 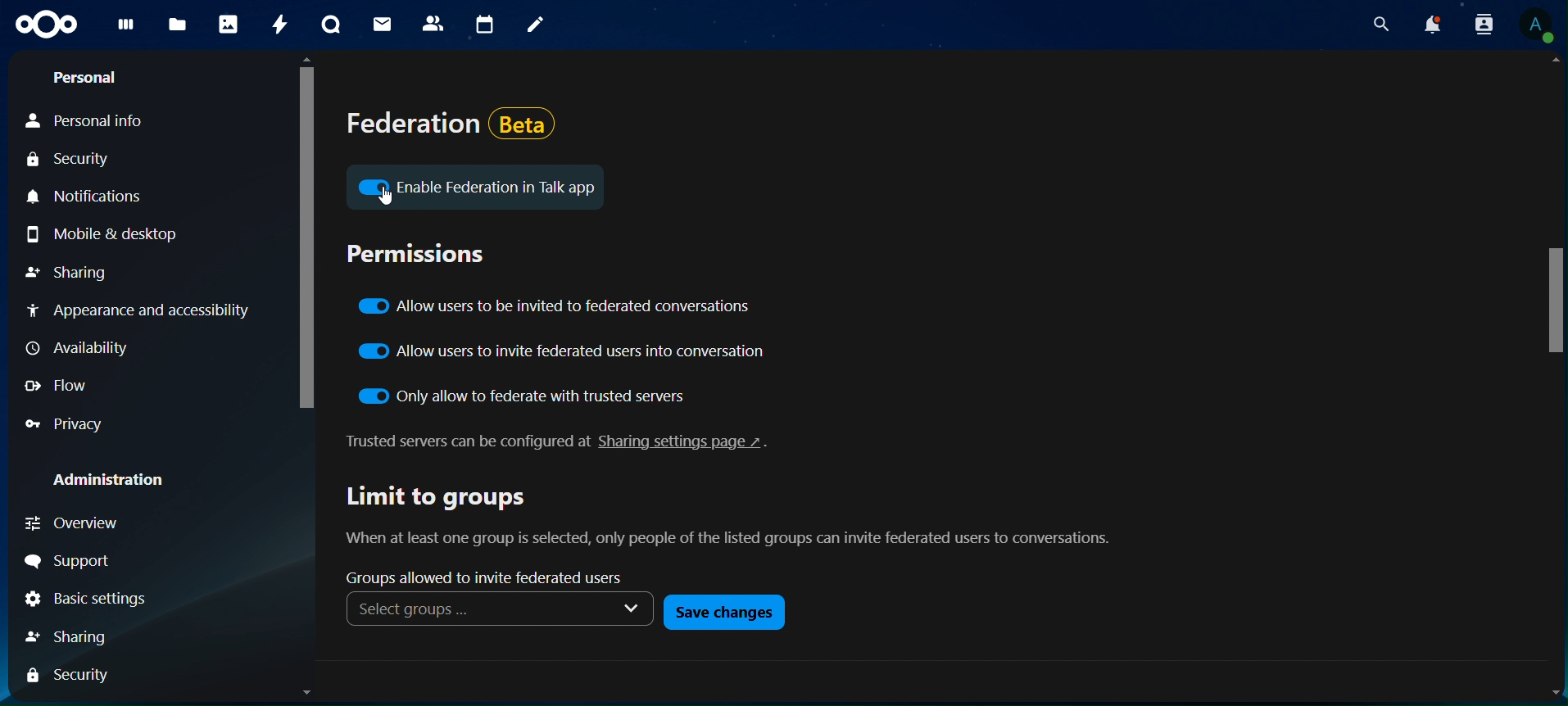 I want to click on text, so click(x=724, y=538).